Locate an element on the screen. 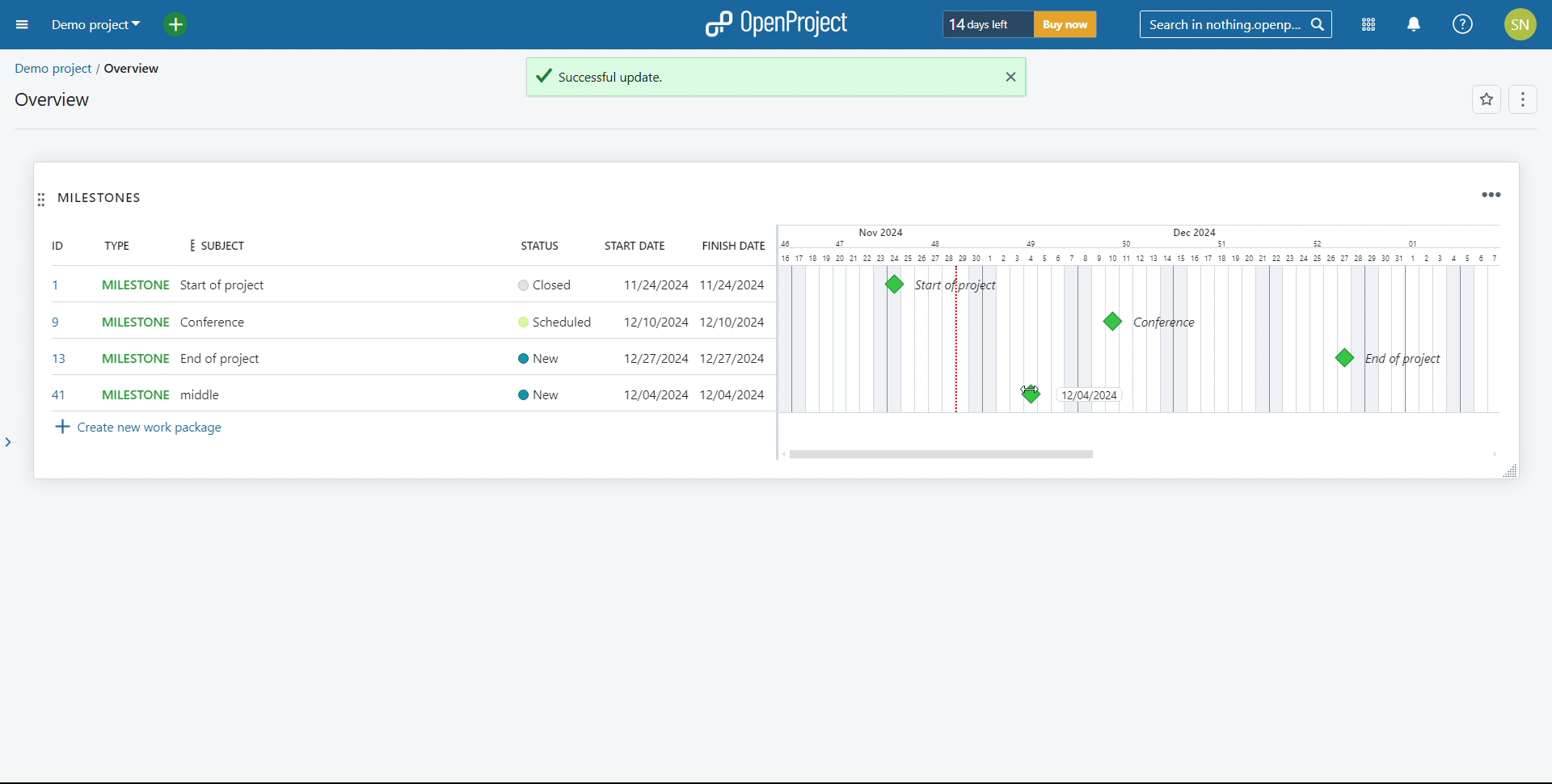 The image size is (1552, 784). help is located at coordinates (1463, 24).